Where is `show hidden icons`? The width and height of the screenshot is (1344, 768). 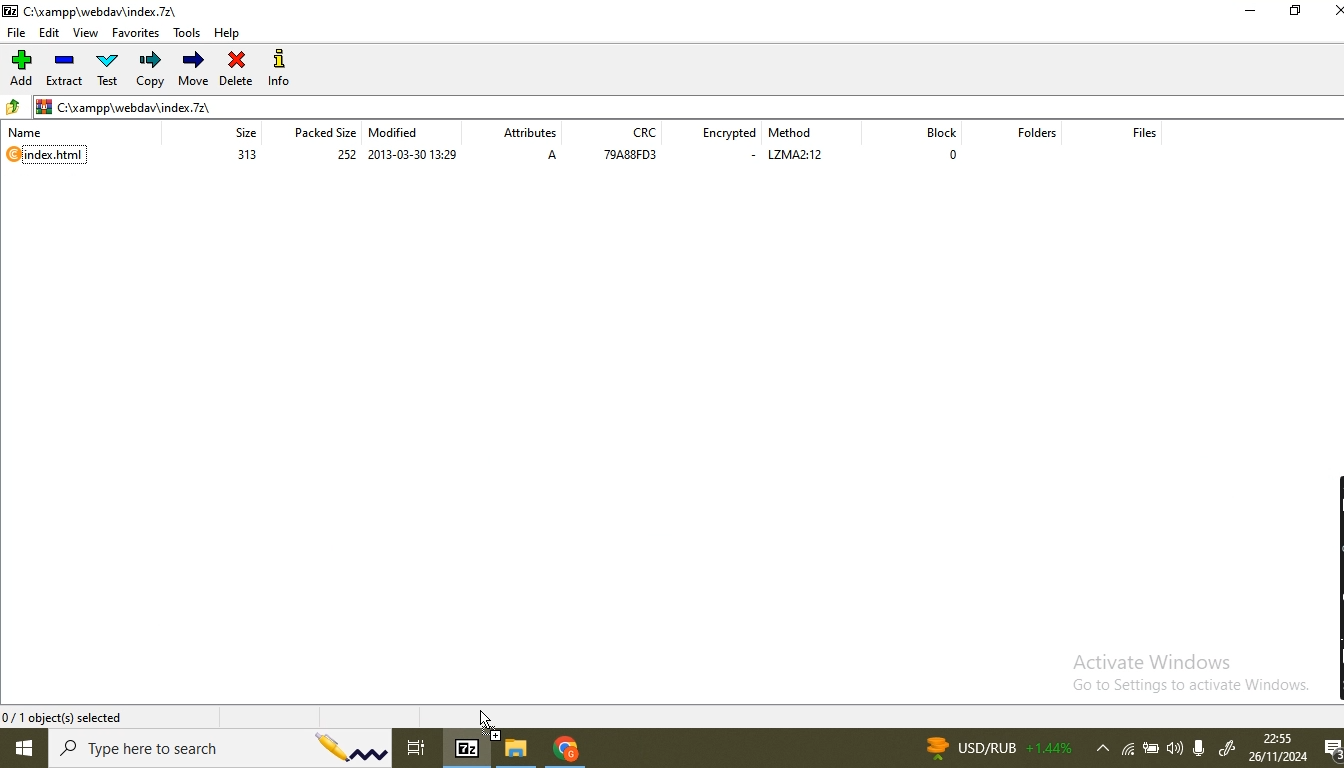 show hidden icons is located at coordinates (1099, 750).